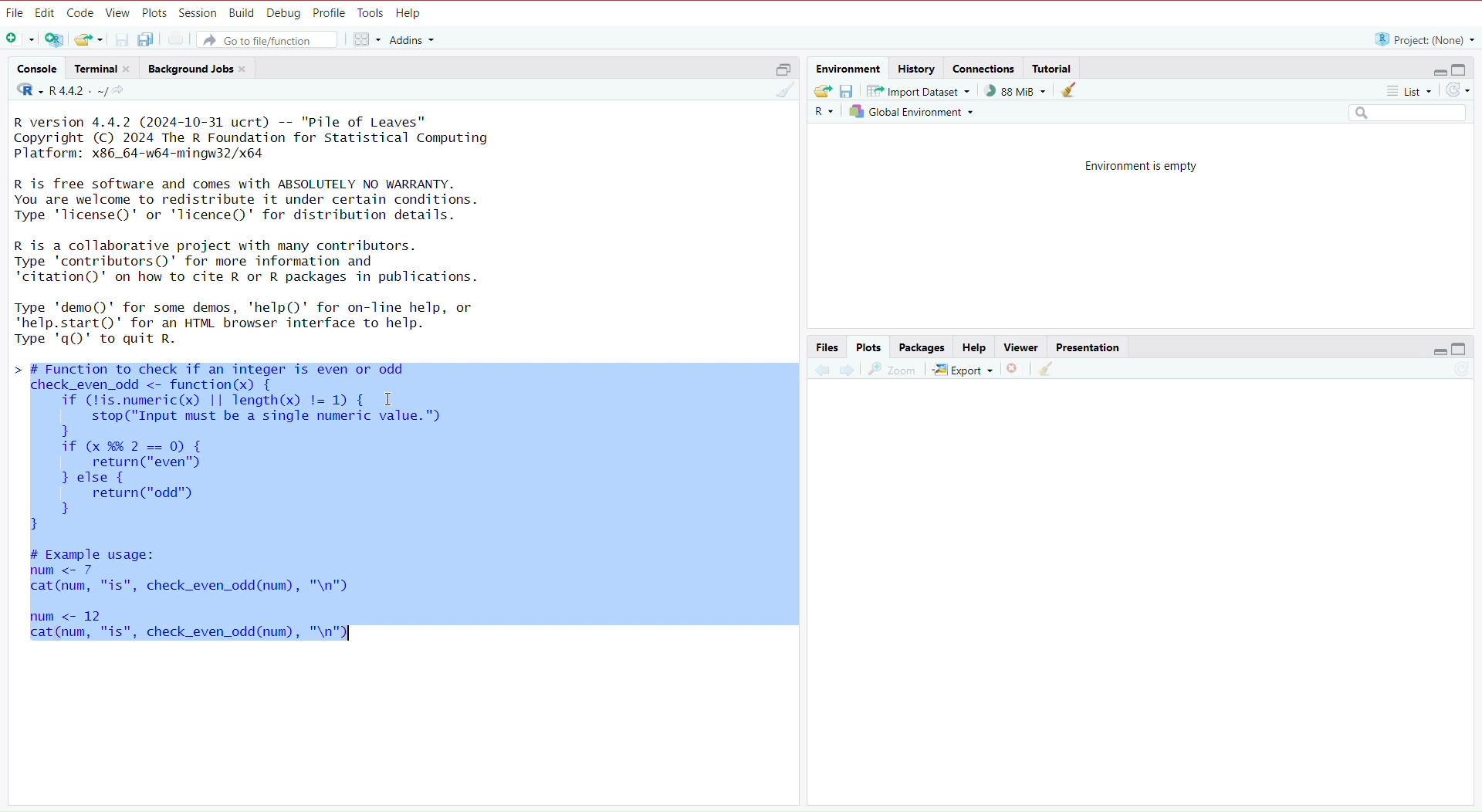  What do you see at coordinates (962, 371) in the screenshot?
I see `export` at bounding box center [962, 371].